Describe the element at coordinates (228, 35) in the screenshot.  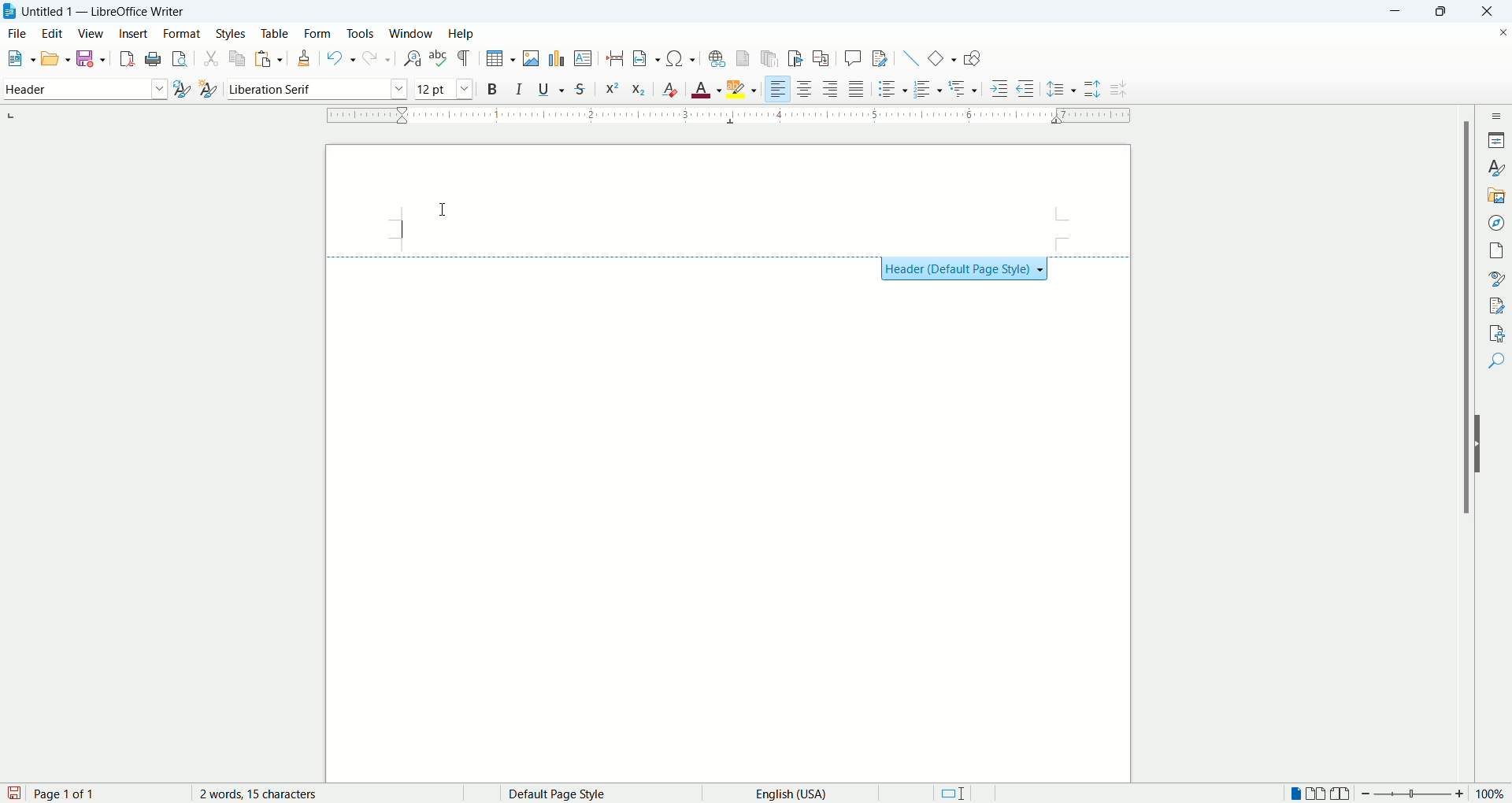
I see `styles` at that location.